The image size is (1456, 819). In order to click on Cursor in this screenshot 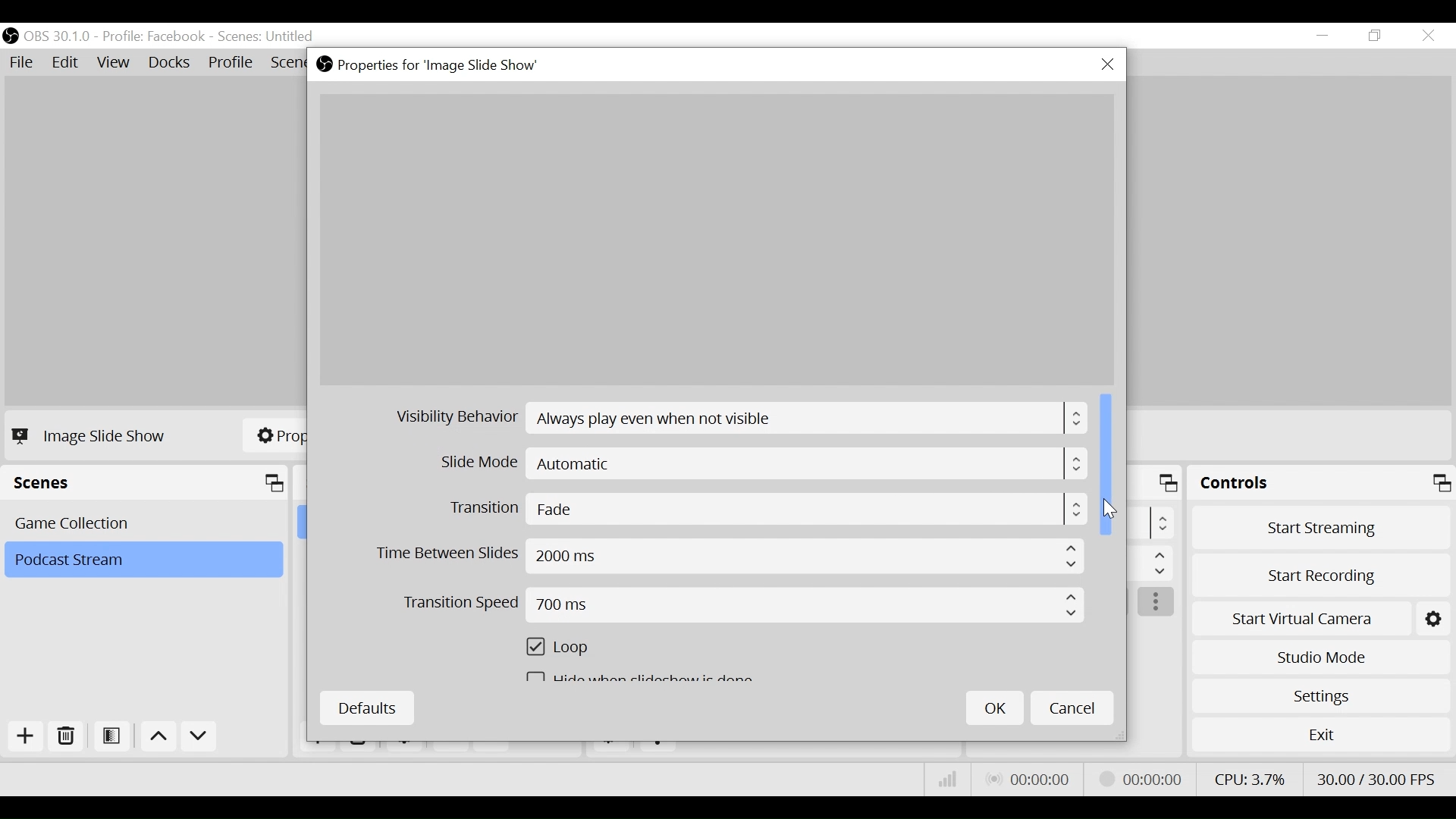, I will do `click(1109, 507)`.